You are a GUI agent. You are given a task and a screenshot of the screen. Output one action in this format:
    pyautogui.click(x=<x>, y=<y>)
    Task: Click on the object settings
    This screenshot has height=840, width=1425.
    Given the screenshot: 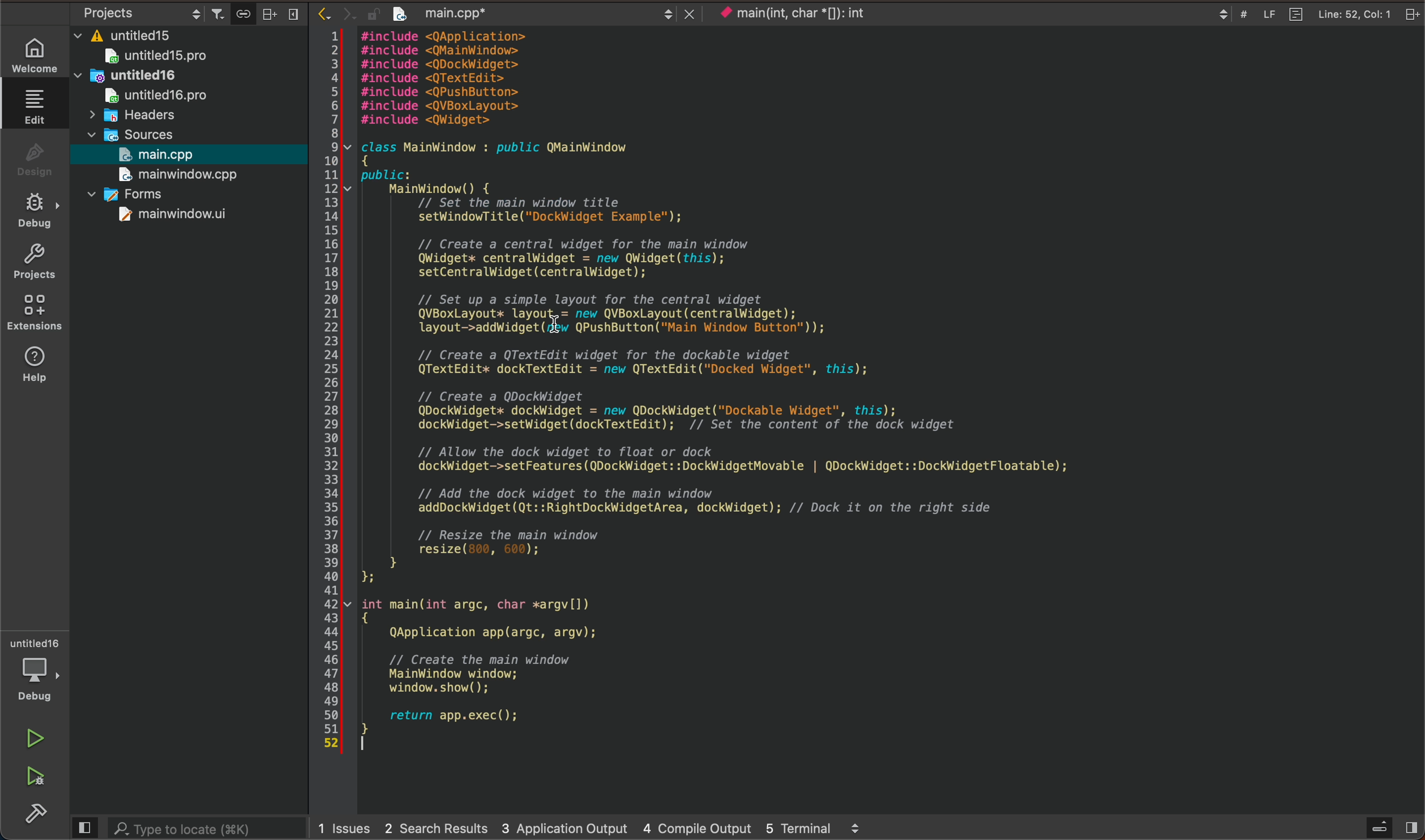 What is the action you would take?
    pyautogui.click(x=144, y=10)
    